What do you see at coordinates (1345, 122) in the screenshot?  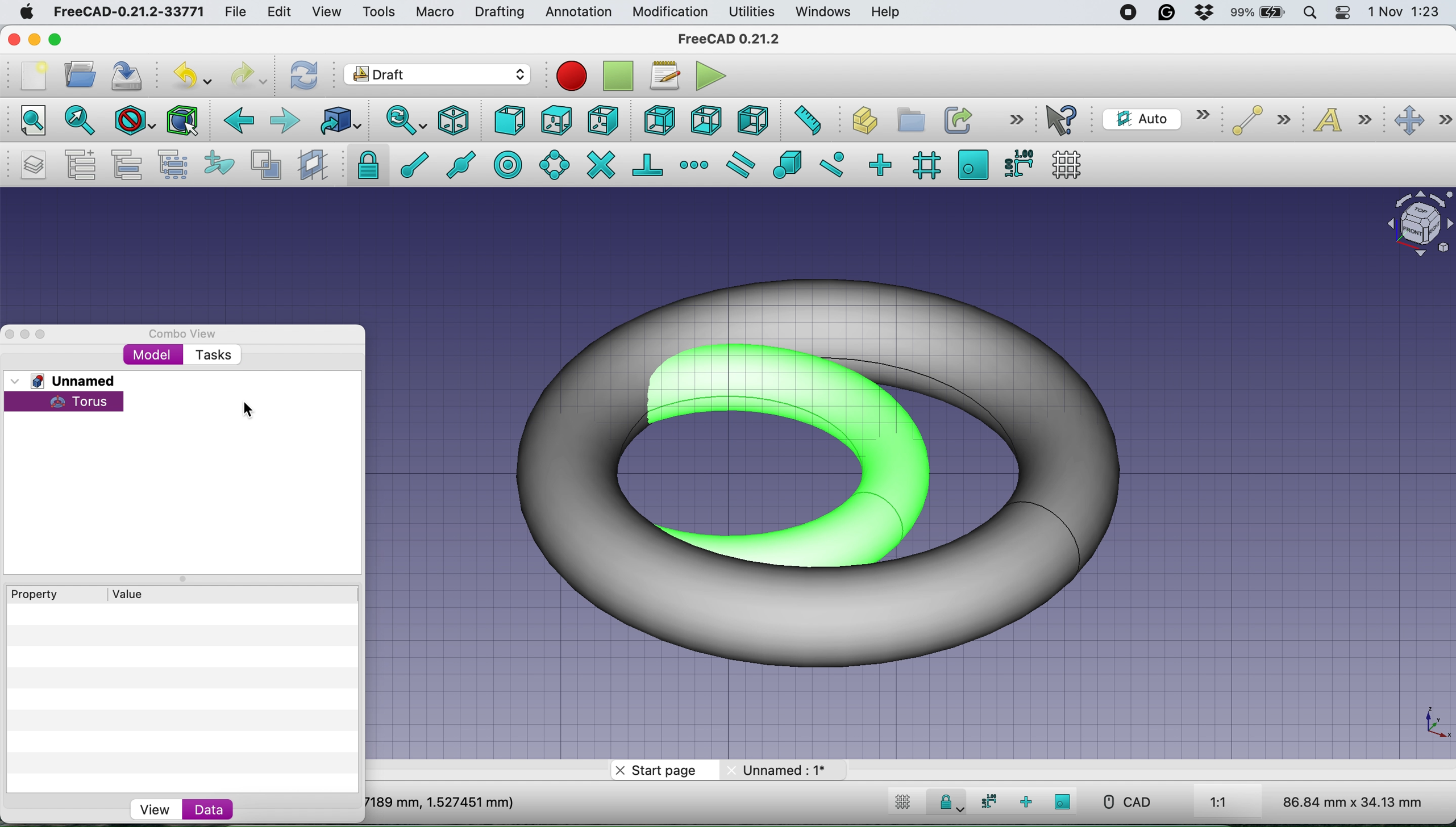 I see `text` at bounding box center [1345, 122].